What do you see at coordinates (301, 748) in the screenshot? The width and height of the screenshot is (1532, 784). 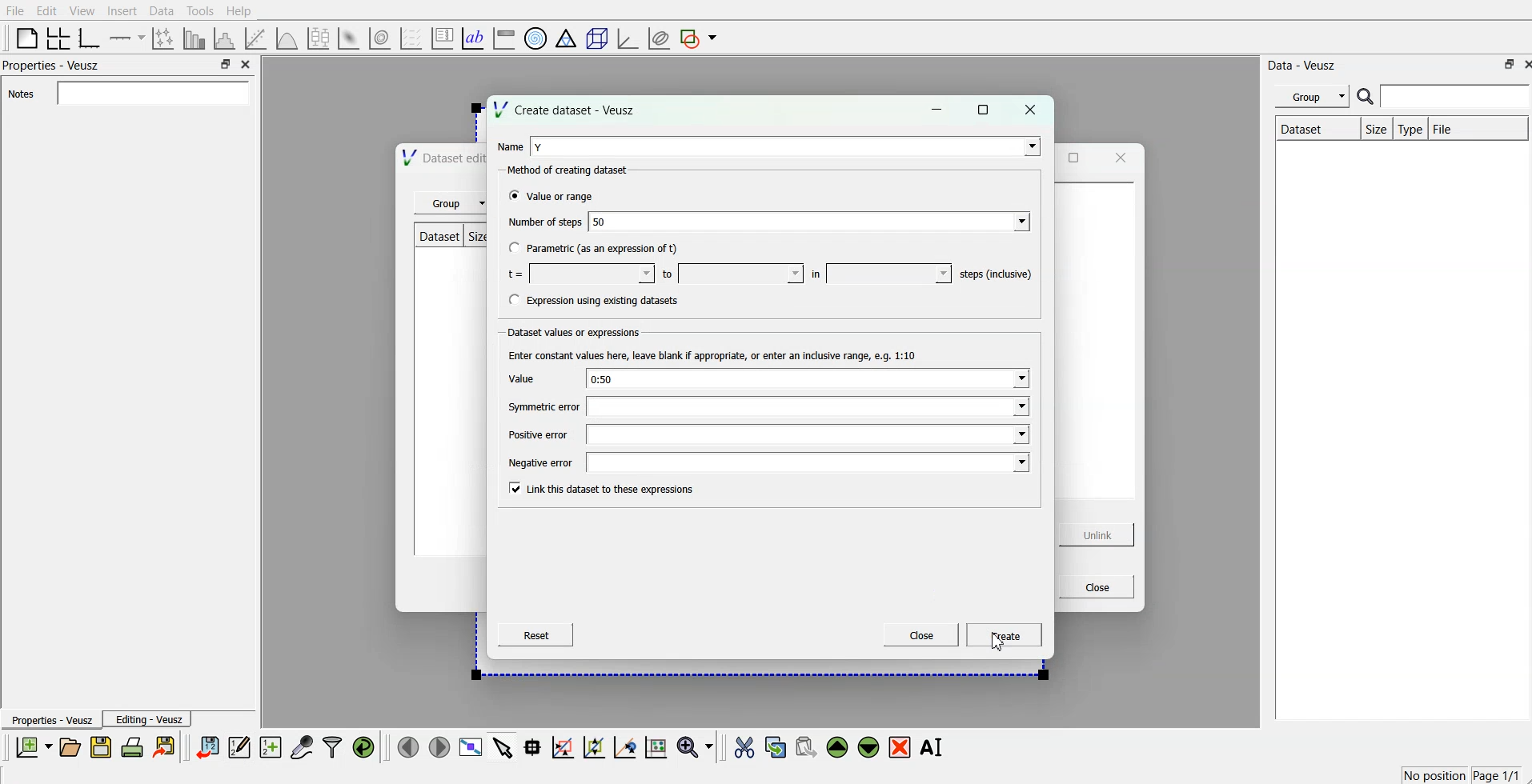 I see `capture remote data` at bounding box center [301, 748].